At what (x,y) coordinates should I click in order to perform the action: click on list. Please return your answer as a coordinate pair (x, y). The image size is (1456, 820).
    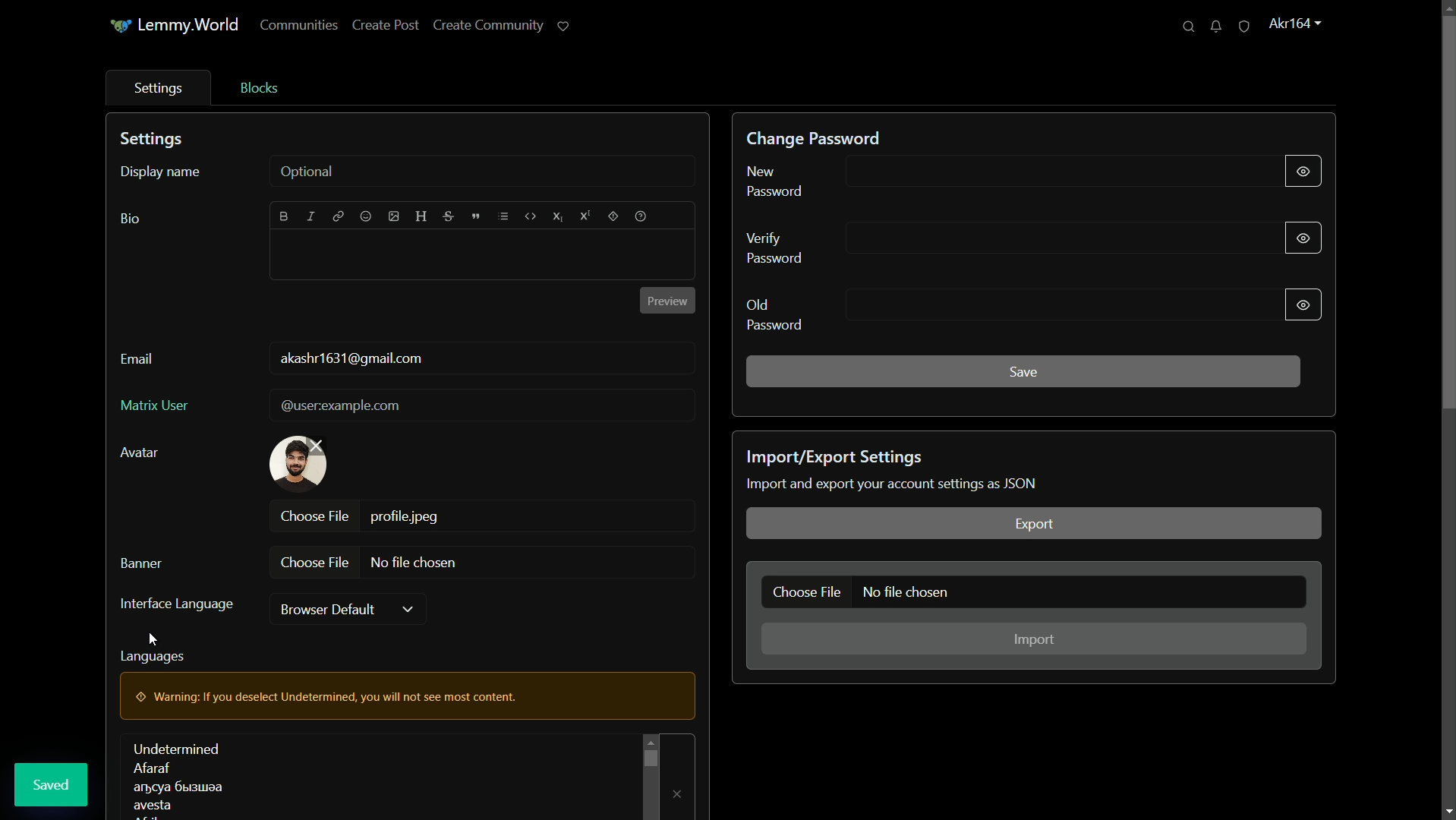
    Looking at the image, I should click on (503, 216).